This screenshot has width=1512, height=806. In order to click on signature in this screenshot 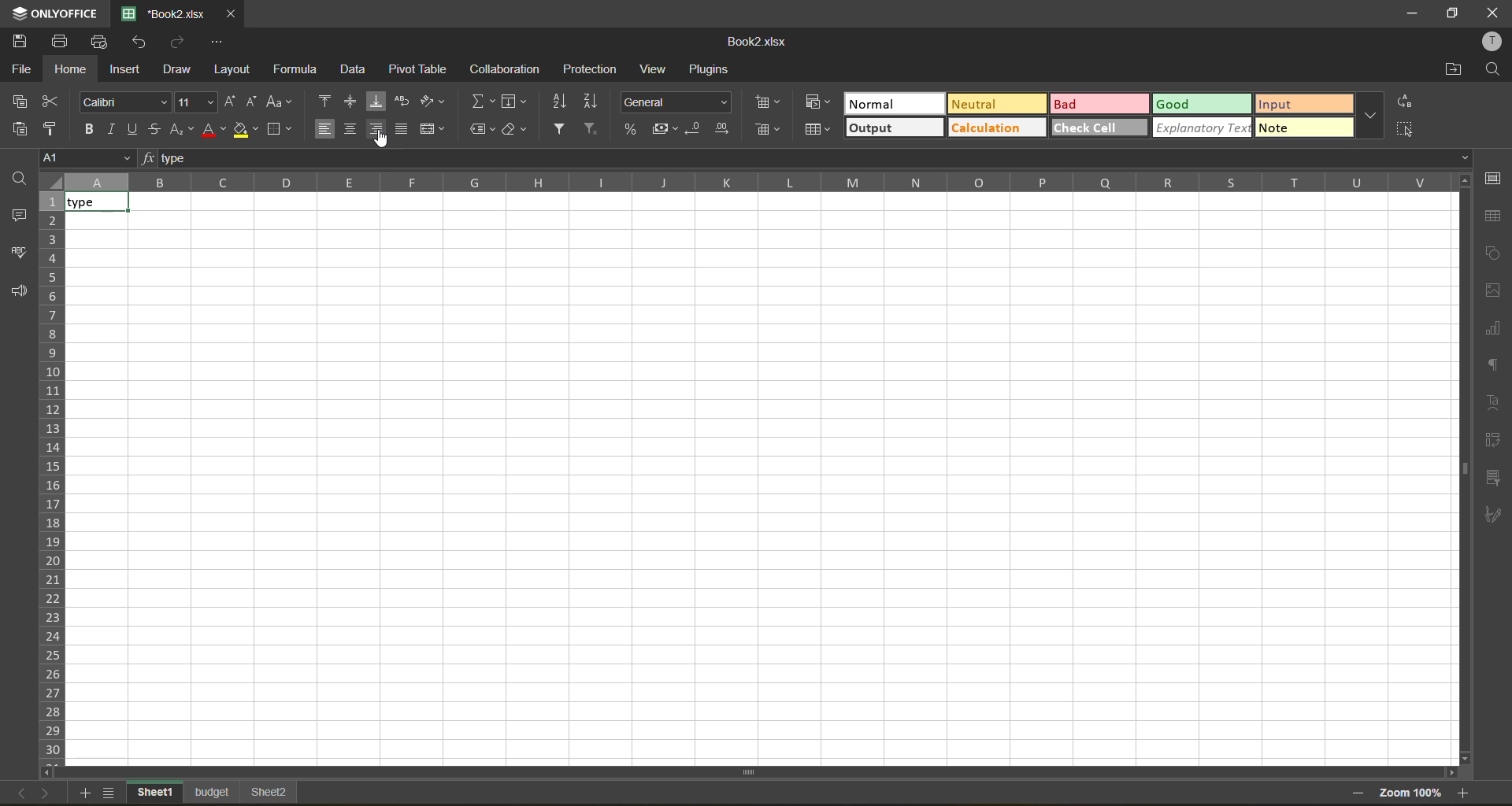, I will do `click(1494, 516)`.